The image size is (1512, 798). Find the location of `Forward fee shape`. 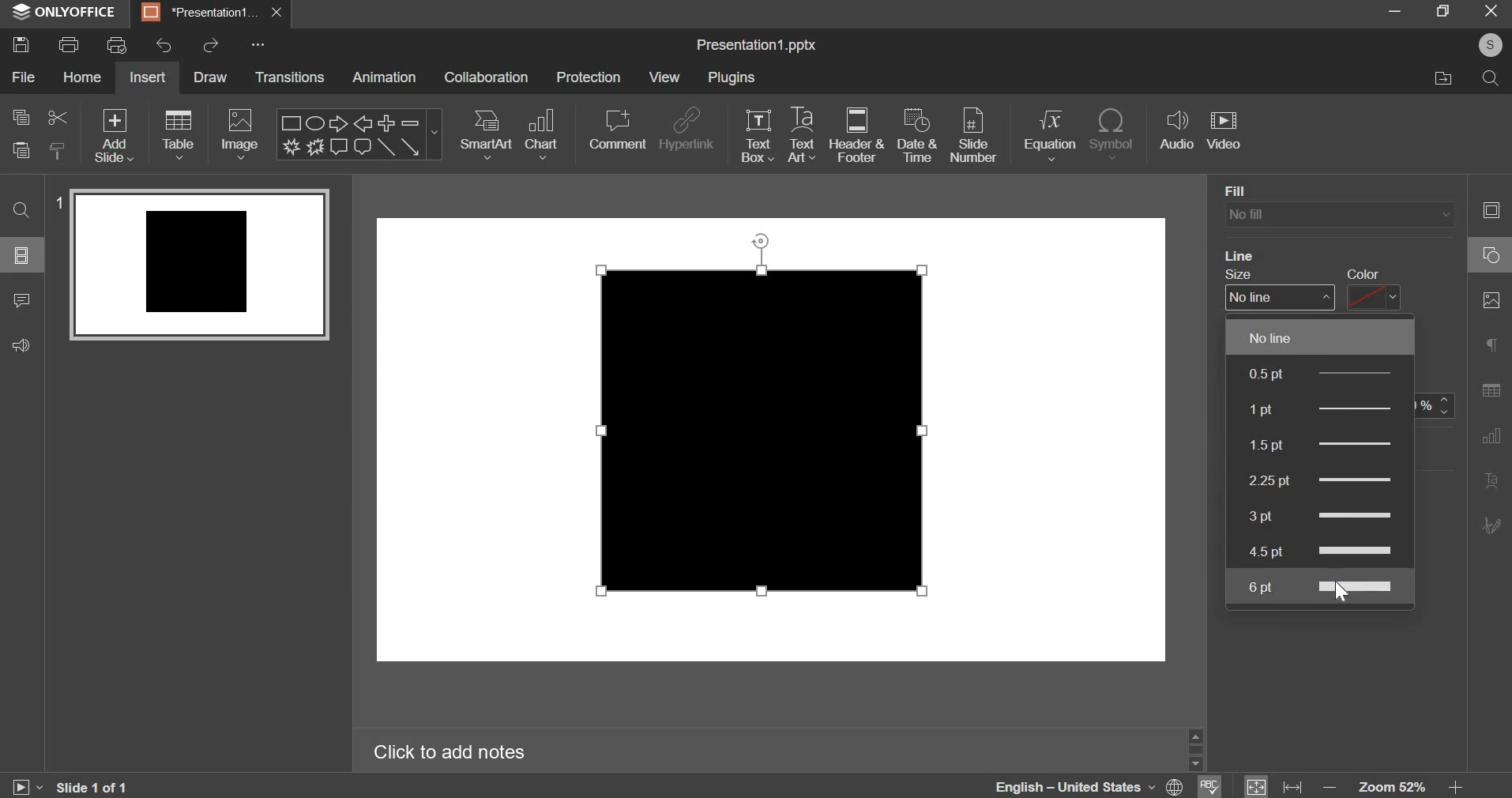

Forward fee shape is located at coordinates (316, 147).